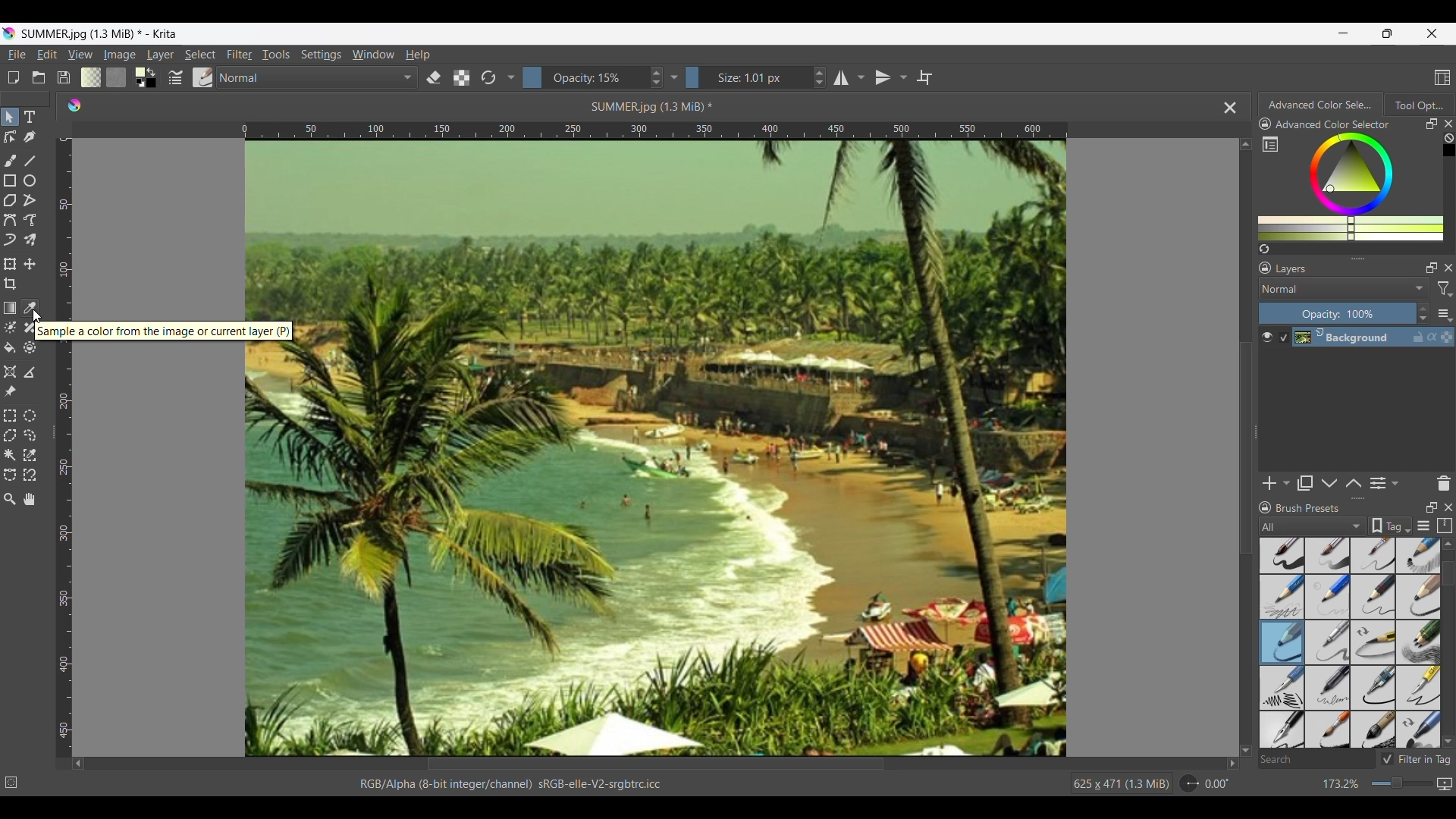 The image size is (1456, 819). What do you see at coordinates (63, 77) in the screenshot?
I see `Save` at bounding box center [63, 77].